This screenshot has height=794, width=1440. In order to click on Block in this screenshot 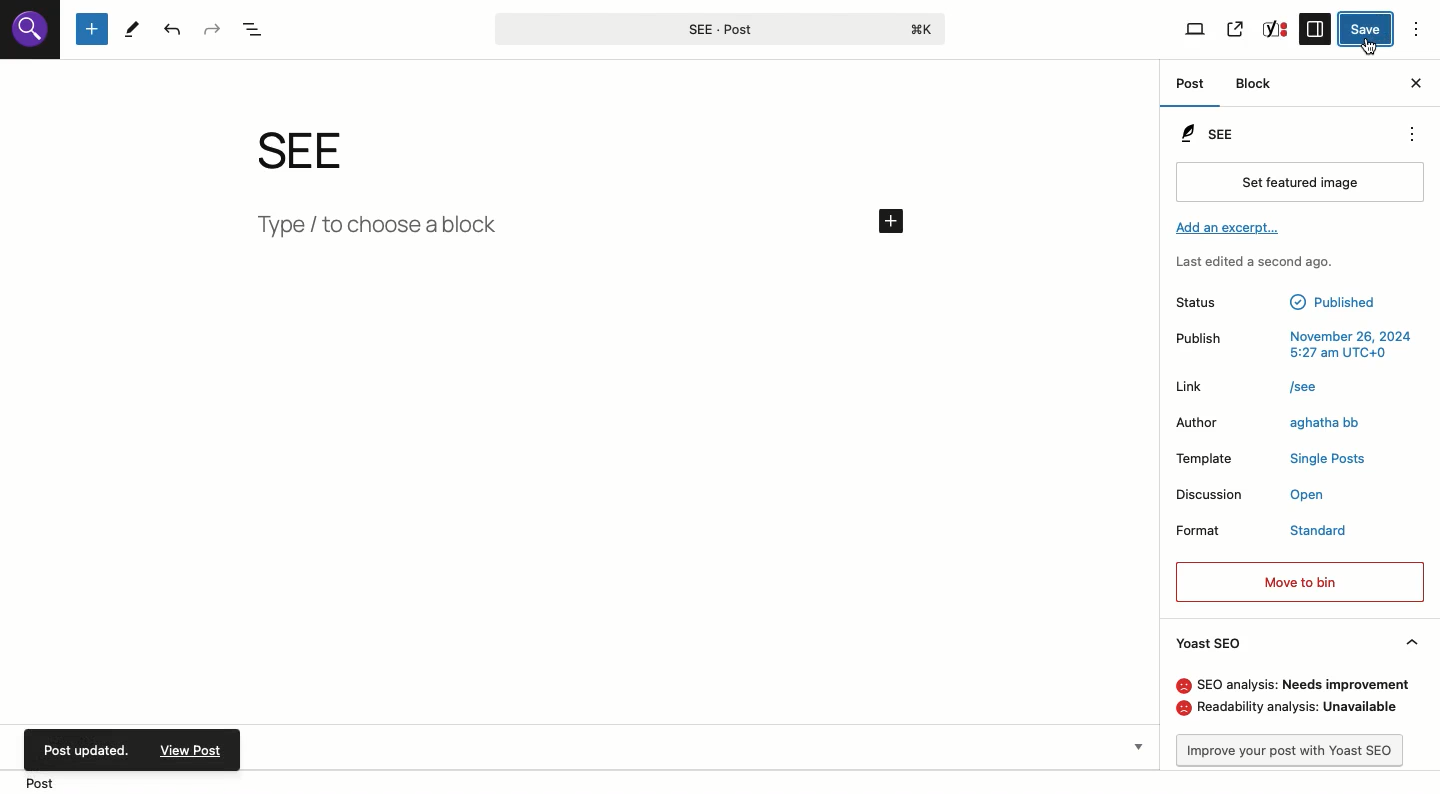, I will do `click(1257, 85)`.